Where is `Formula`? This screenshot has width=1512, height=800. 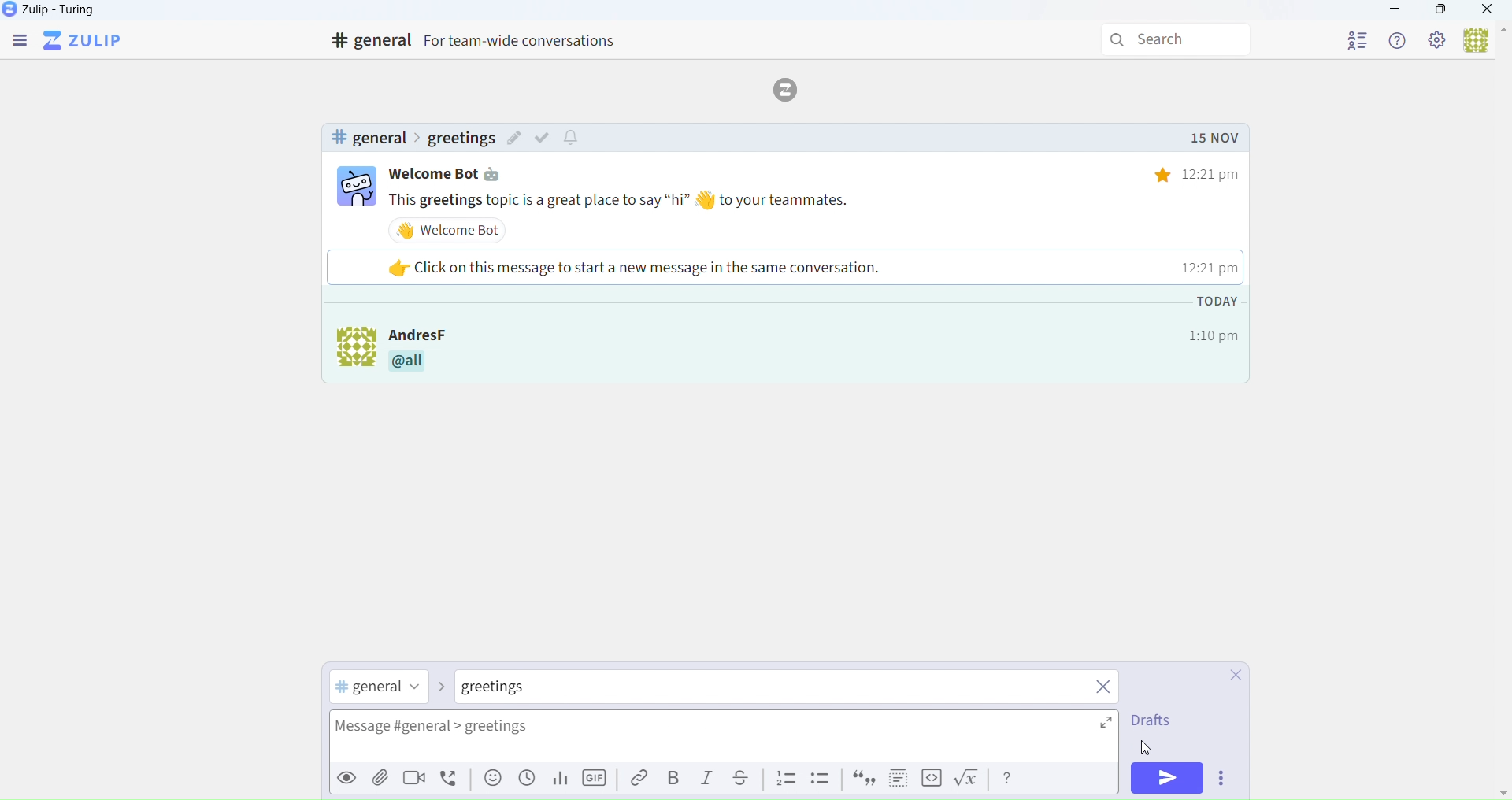
Formula is located at coordinates (970, 781).